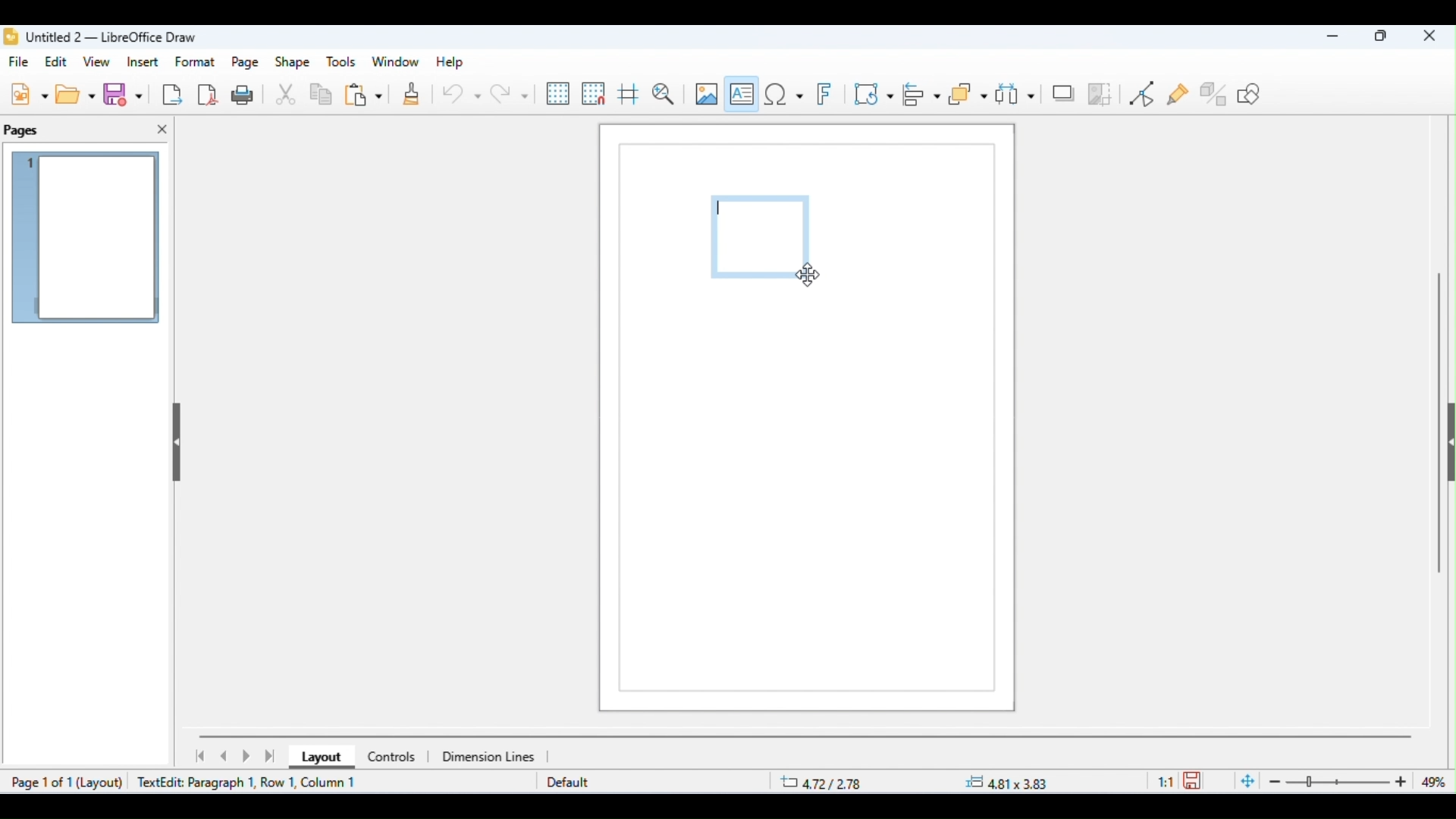  Describe the element at coordinates (363, 96) in the screenshot. I see `paste` at that location.